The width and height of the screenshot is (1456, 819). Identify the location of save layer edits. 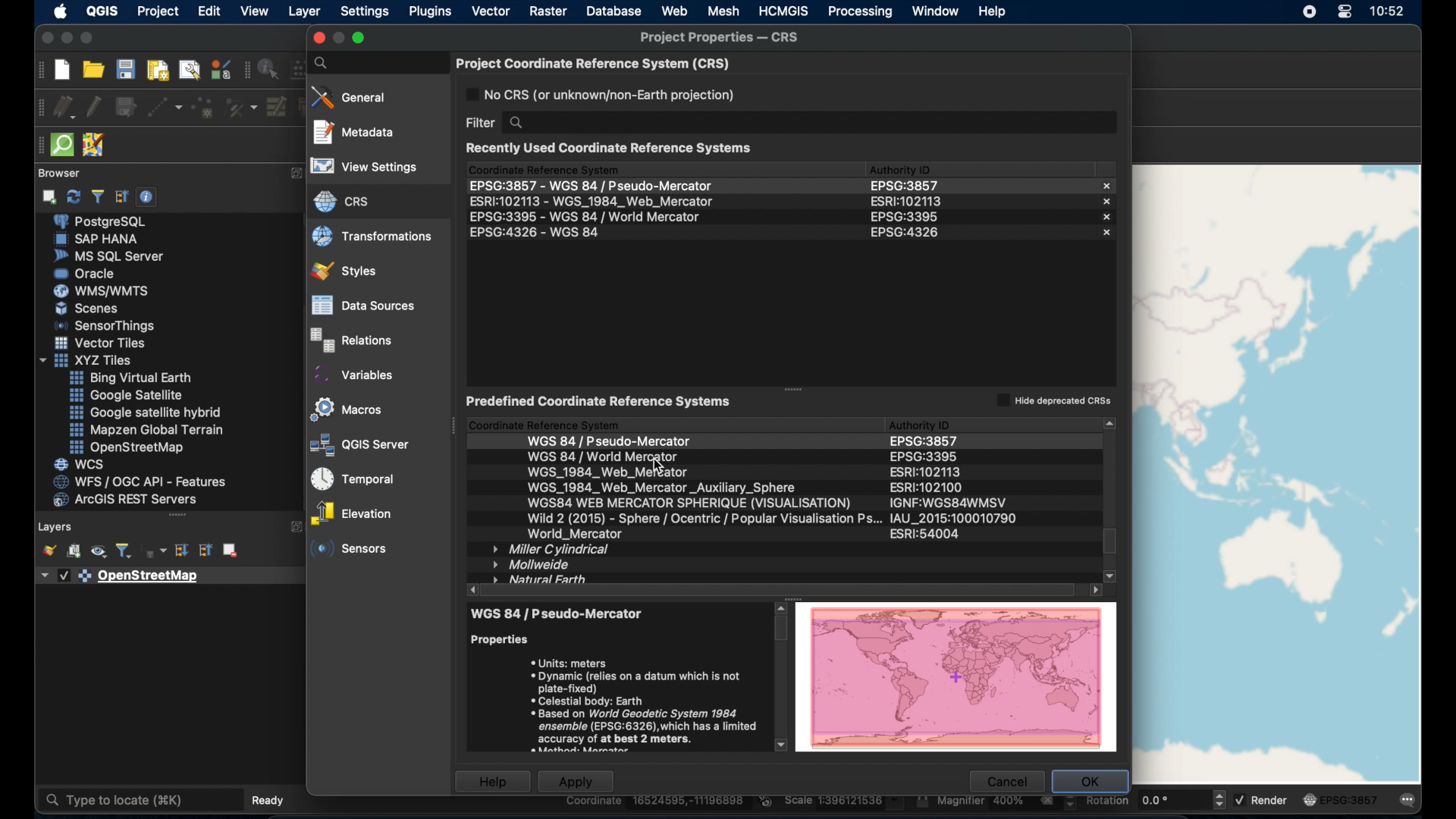
(127, 110).